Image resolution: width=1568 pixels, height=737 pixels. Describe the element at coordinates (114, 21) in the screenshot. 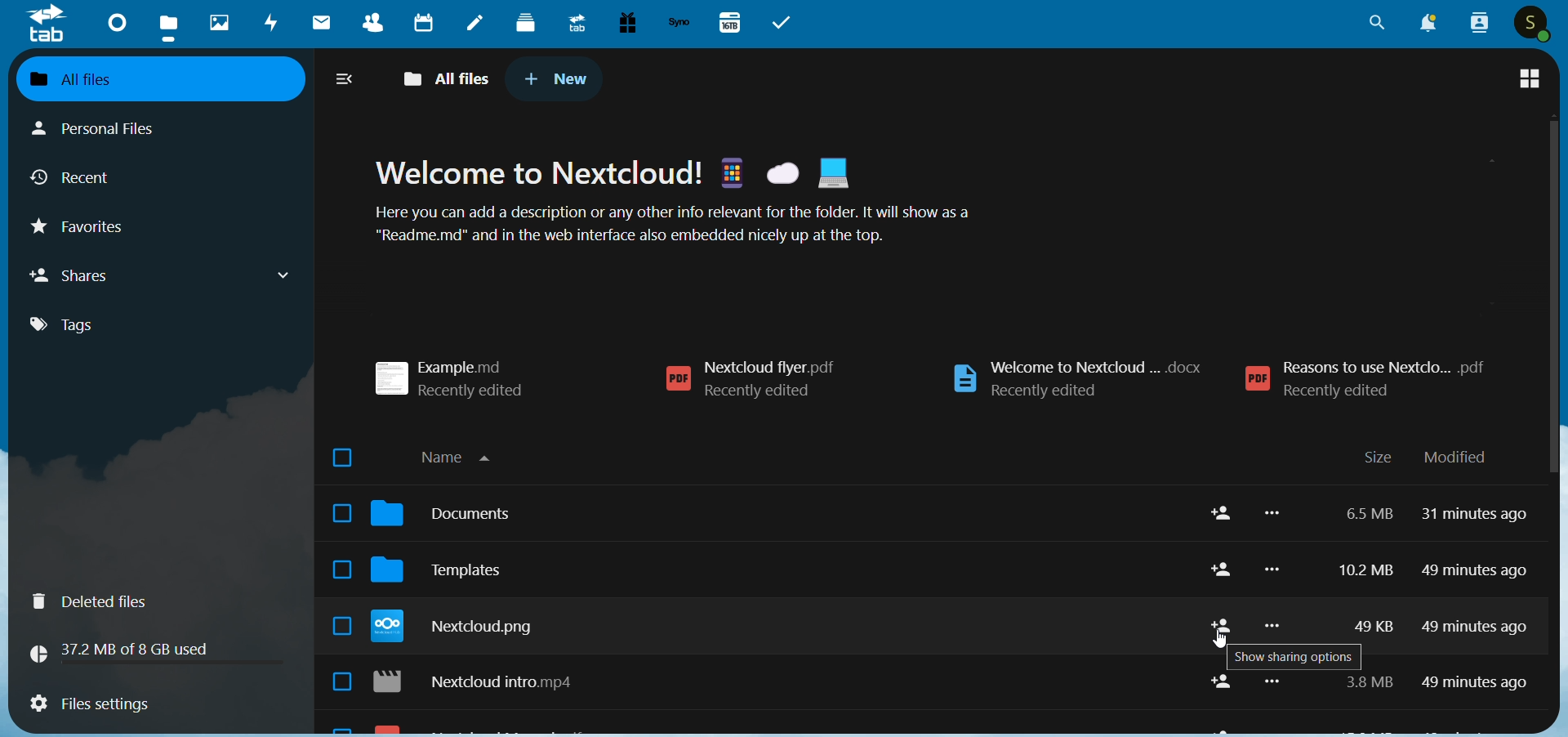

I see `dashboard` at that location.